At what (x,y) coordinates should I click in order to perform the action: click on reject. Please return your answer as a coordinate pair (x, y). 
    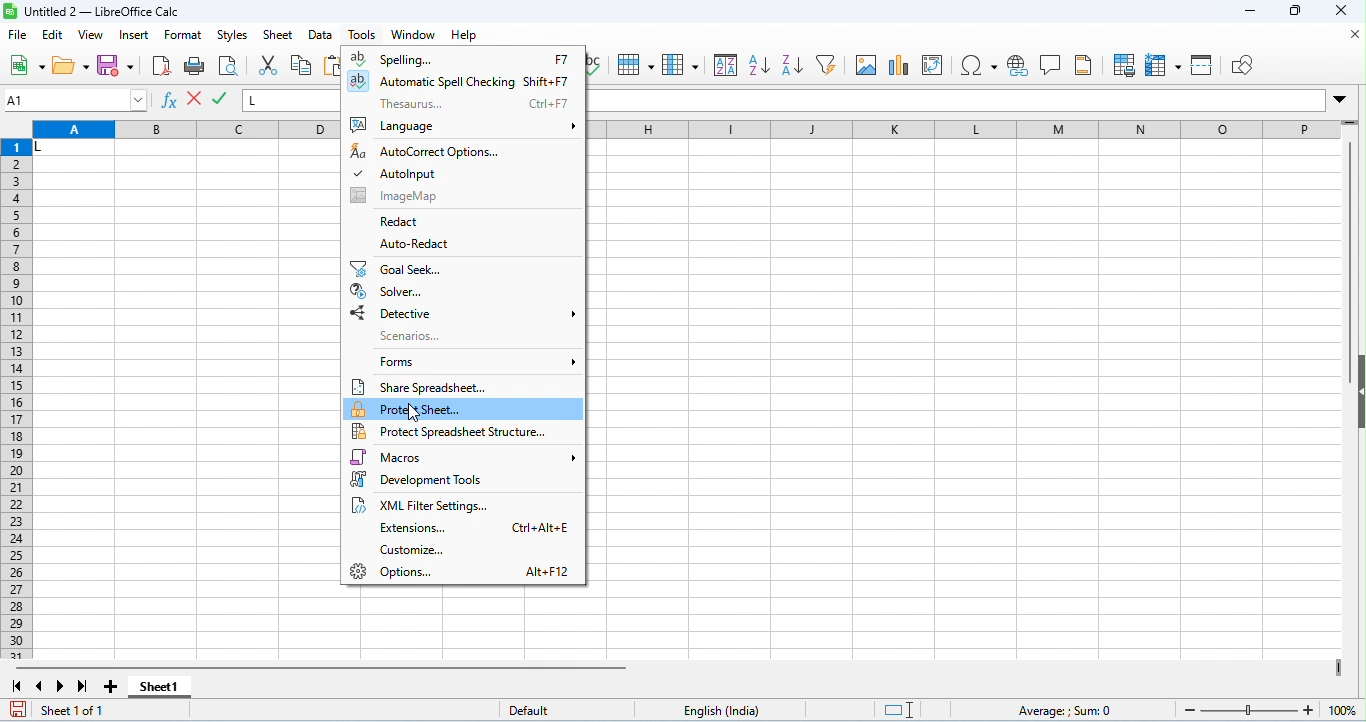
    Looking at the image, I should click on (221, 99).